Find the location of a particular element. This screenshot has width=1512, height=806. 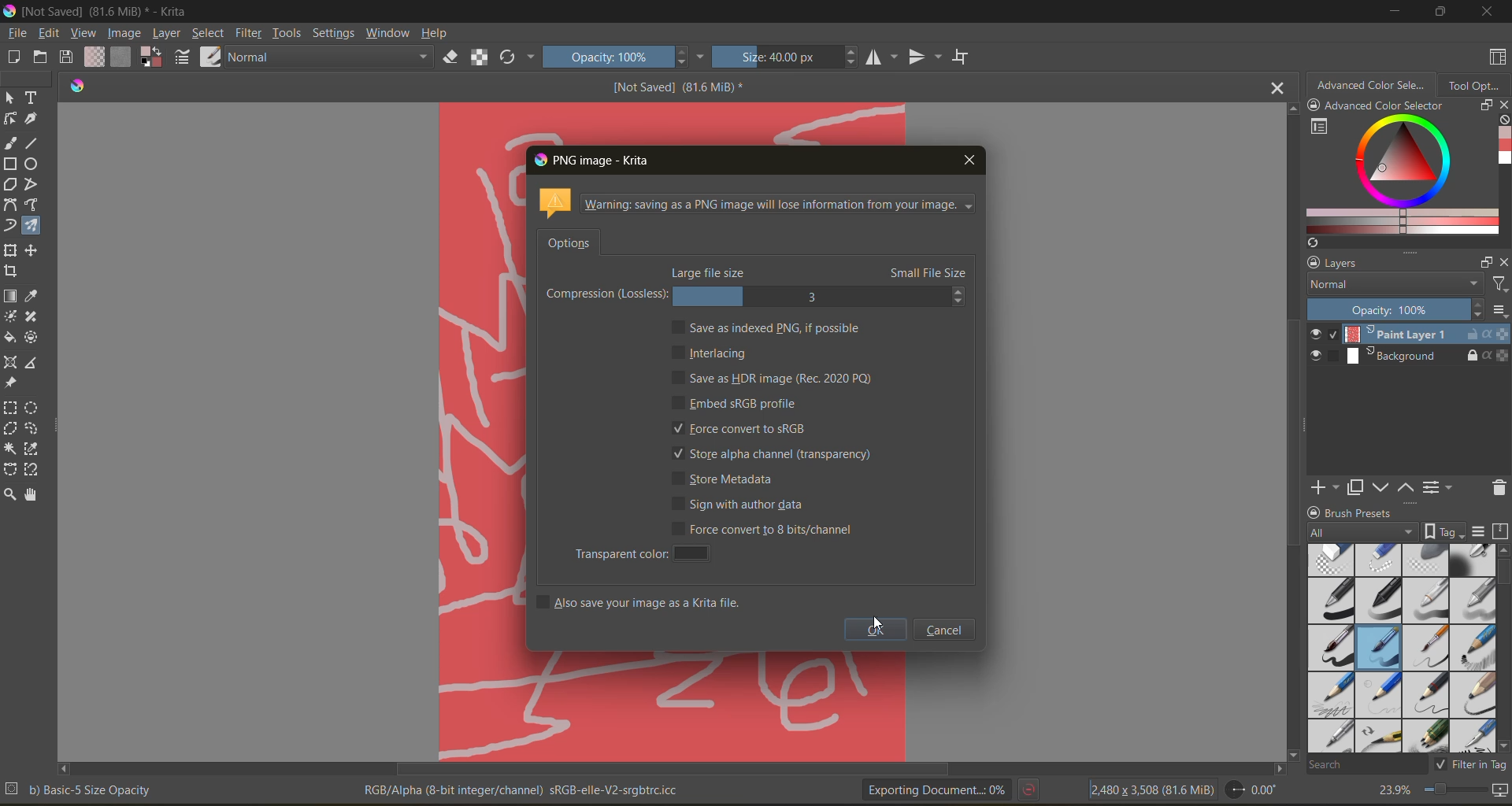

settings is located at coordinates (333, 33).